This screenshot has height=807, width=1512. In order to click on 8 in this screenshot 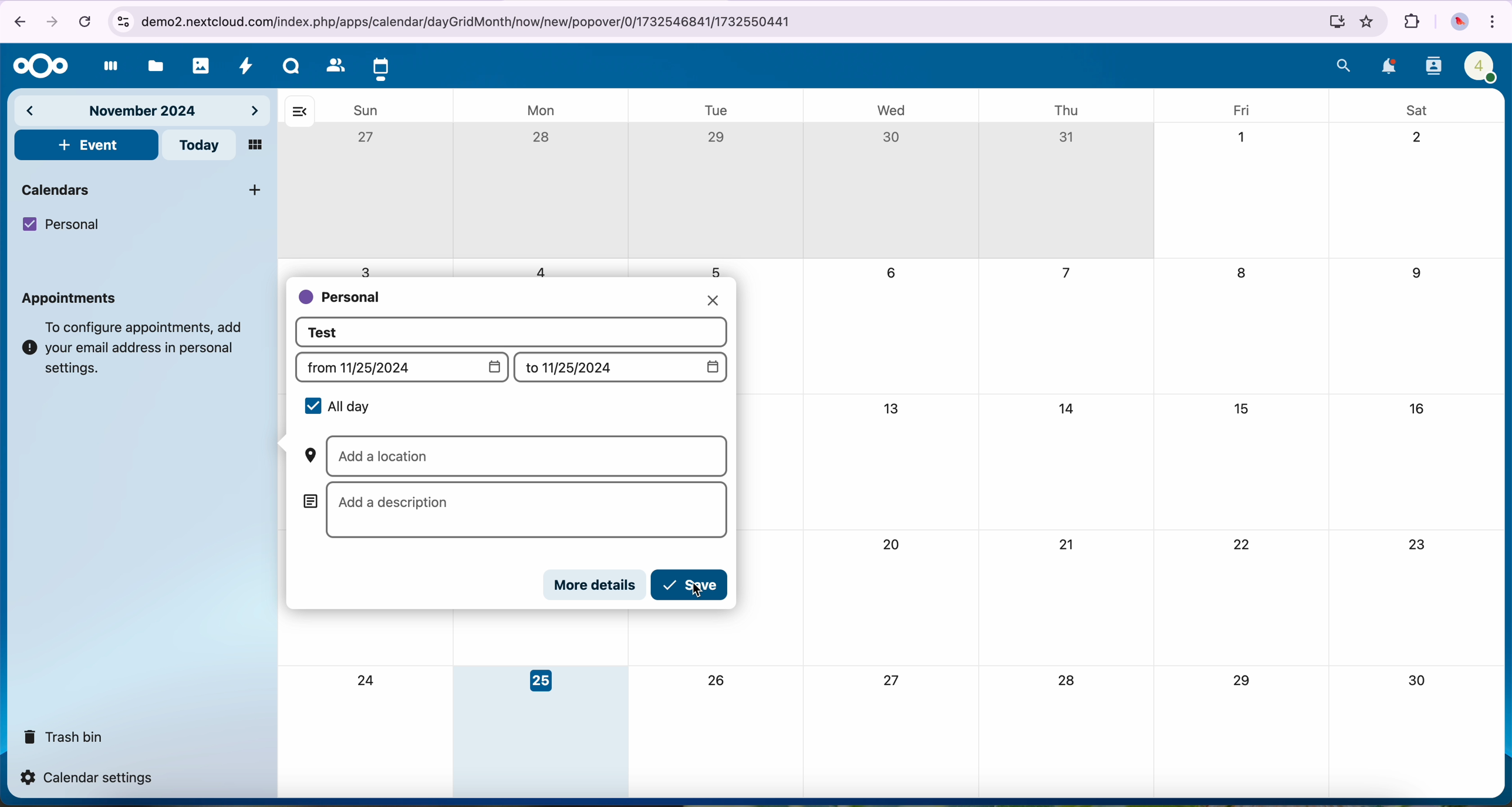, I will do `click(1244, 276)`.